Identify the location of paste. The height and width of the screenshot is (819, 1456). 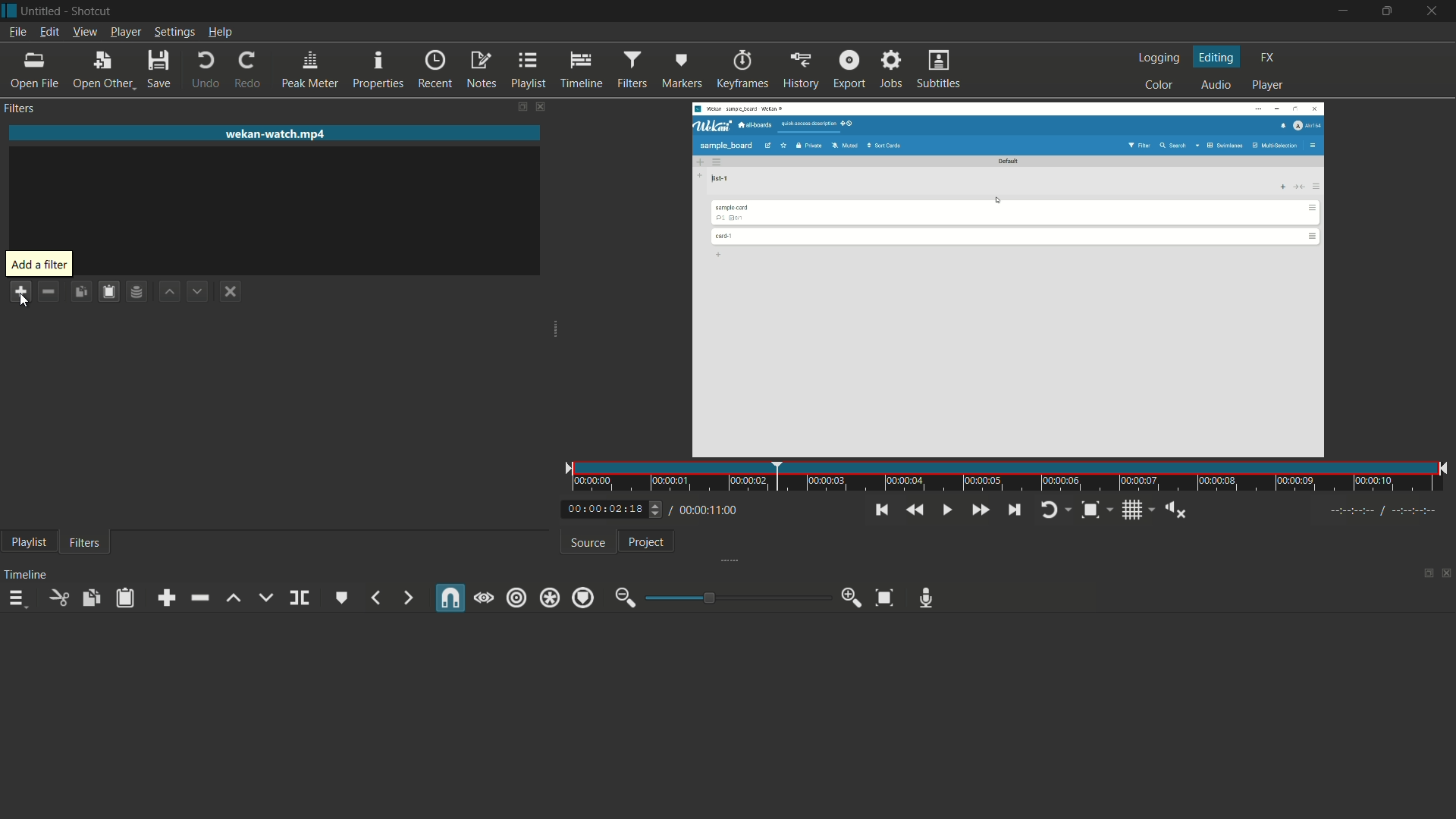
(124, 599).